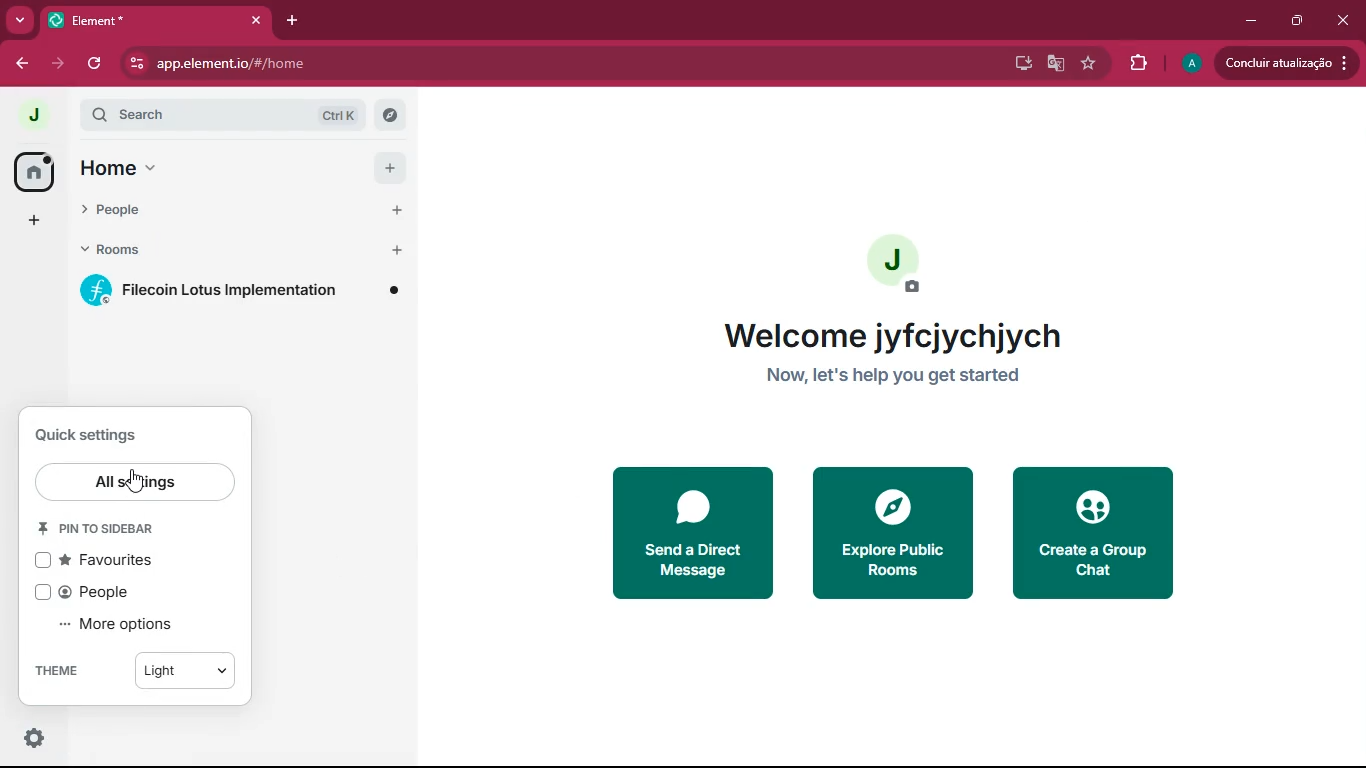  What do you see at coordinates (124, 625) in the screenshot?
I see `more options` at bounding box center [124, 625].